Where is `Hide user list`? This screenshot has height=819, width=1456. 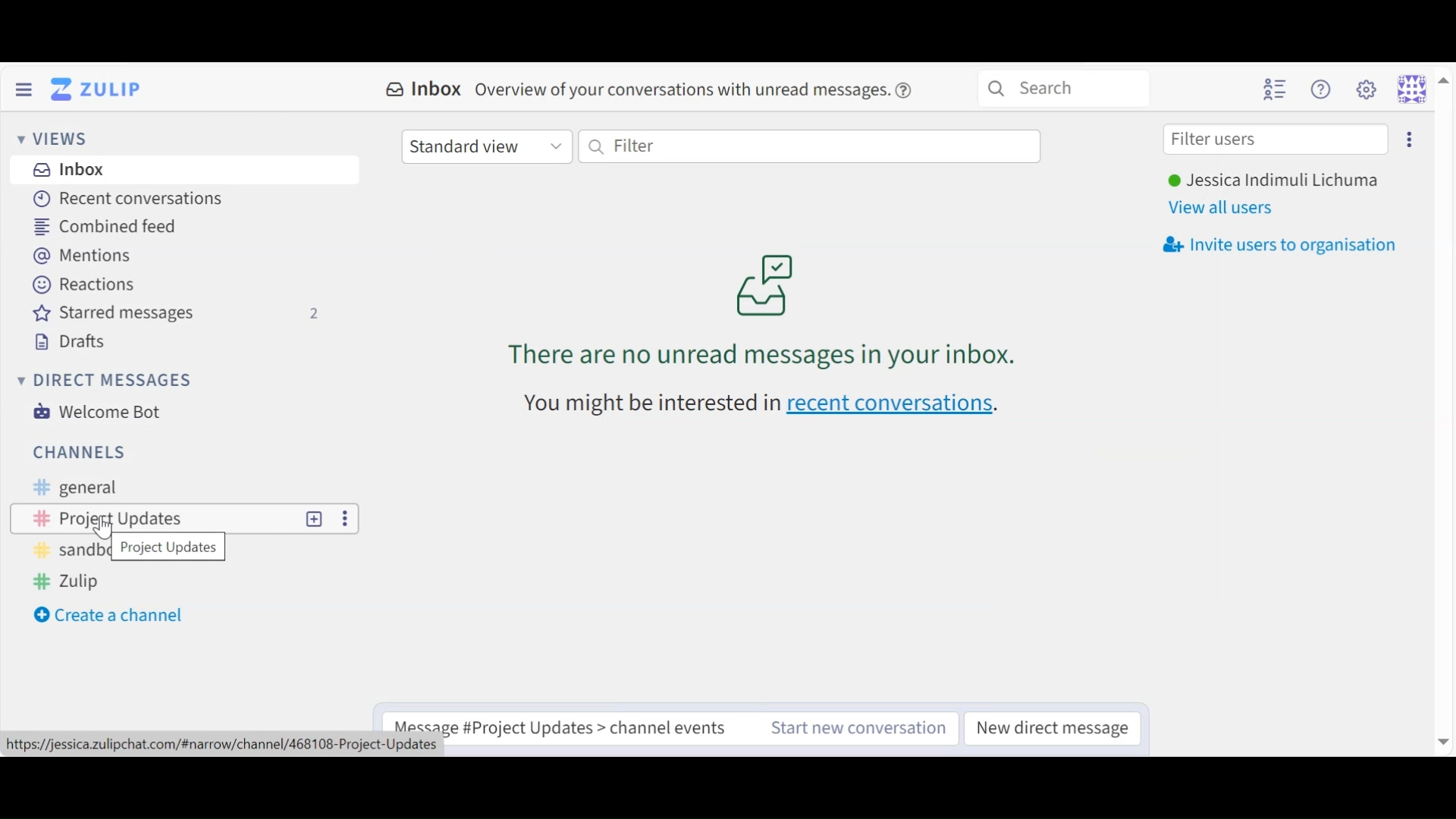 Hide user list is located at coordinates (1275, 89).